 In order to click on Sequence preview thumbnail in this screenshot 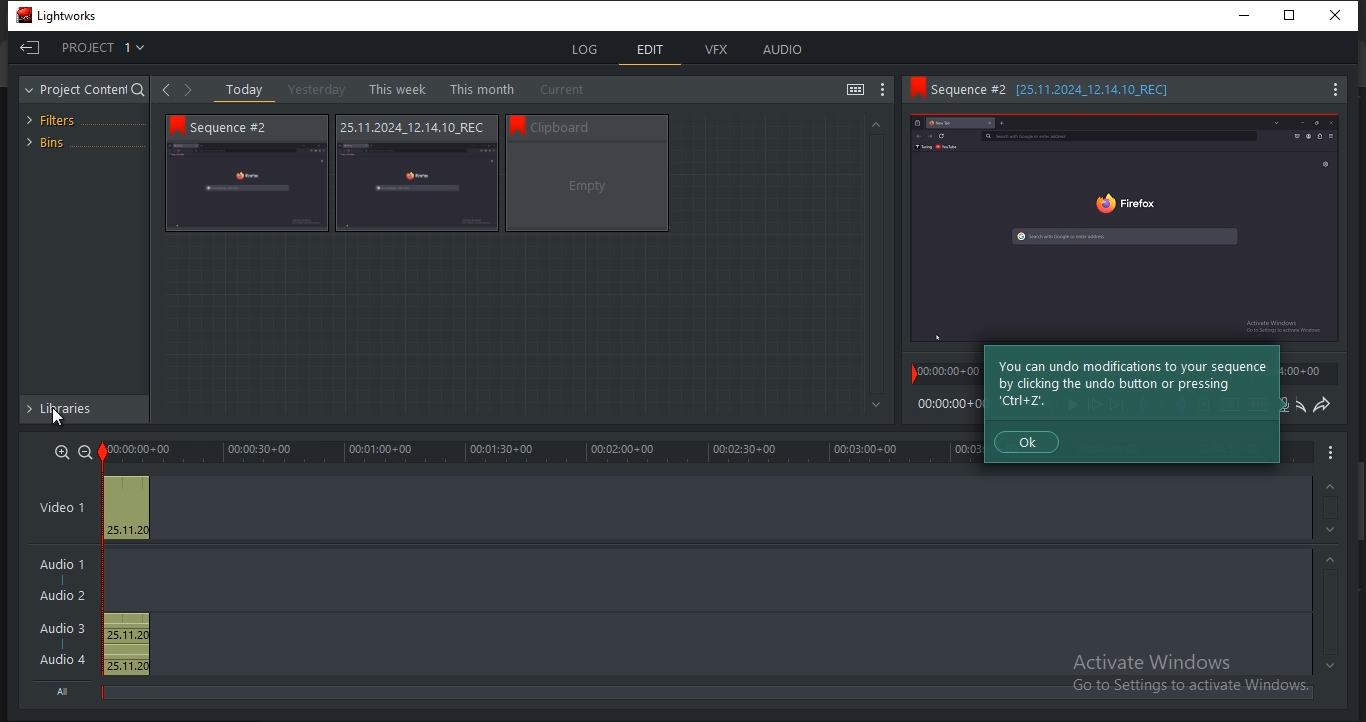, I will do `click(1123, 226)`.